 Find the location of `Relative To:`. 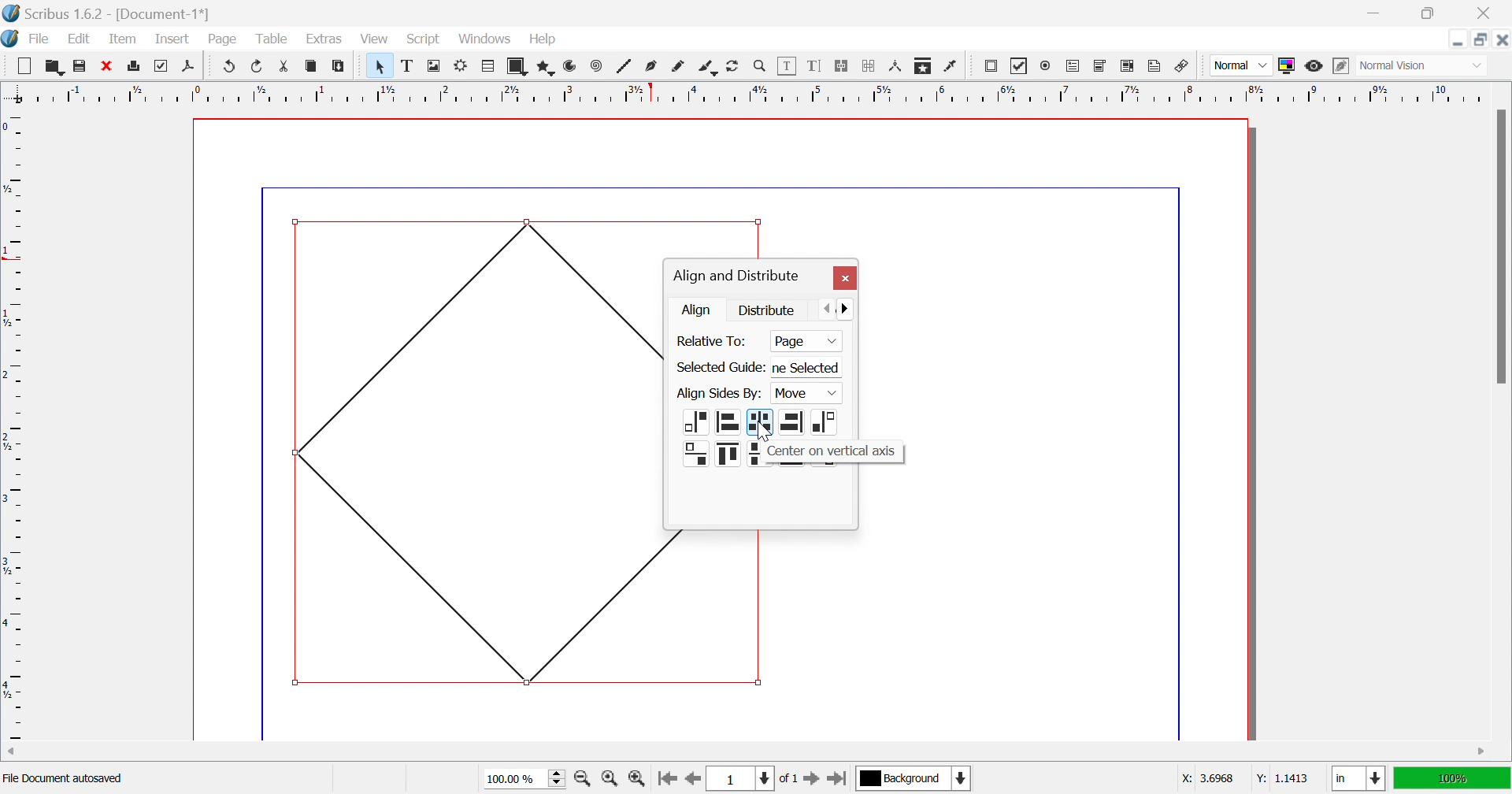

Relative To: is located at coordinates (714, 341).